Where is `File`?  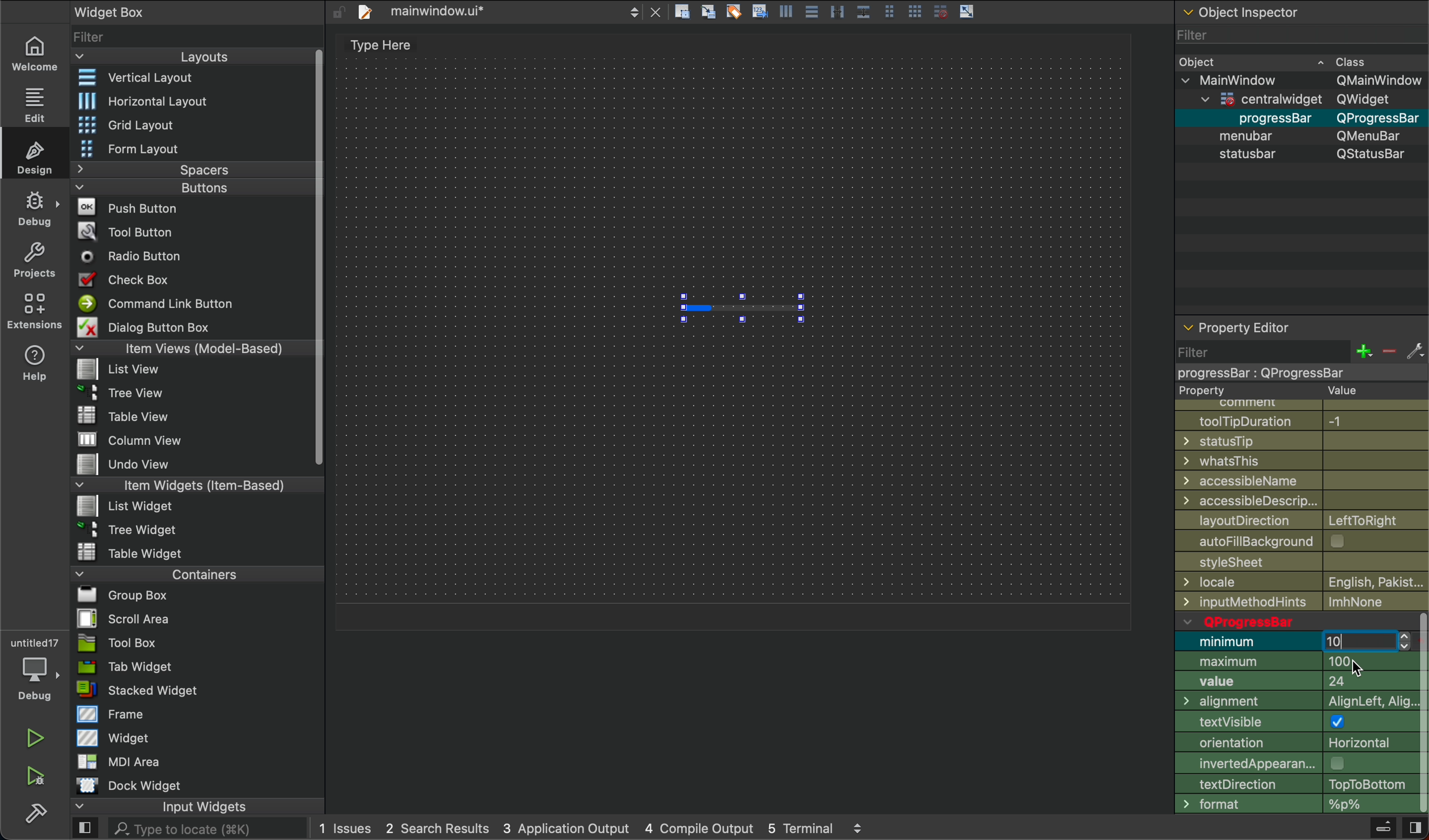
File is located at coordinates (133, 440).